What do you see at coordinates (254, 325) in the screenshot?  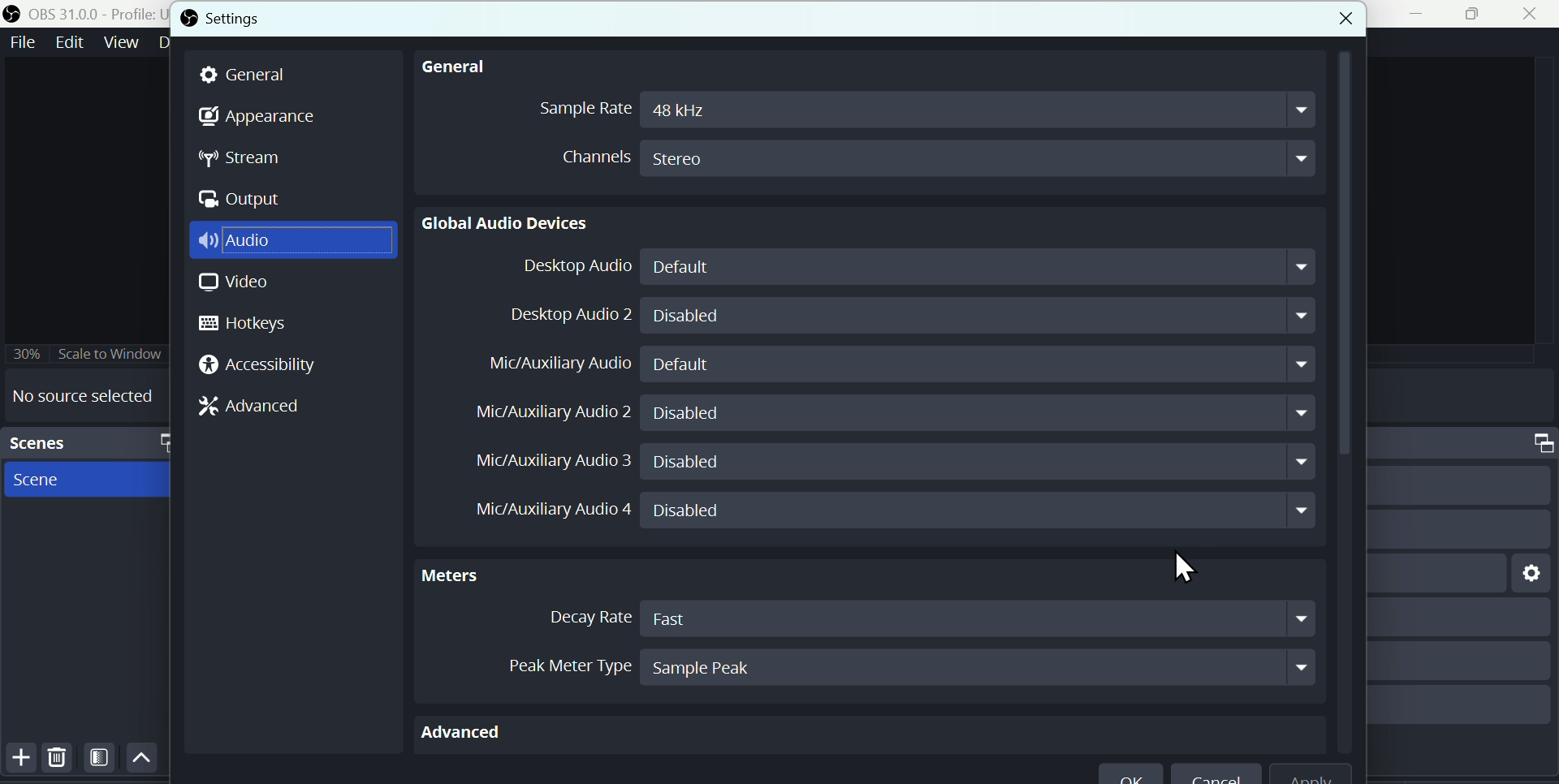 I see `Hotkeys` at bounding box center [254, 325].